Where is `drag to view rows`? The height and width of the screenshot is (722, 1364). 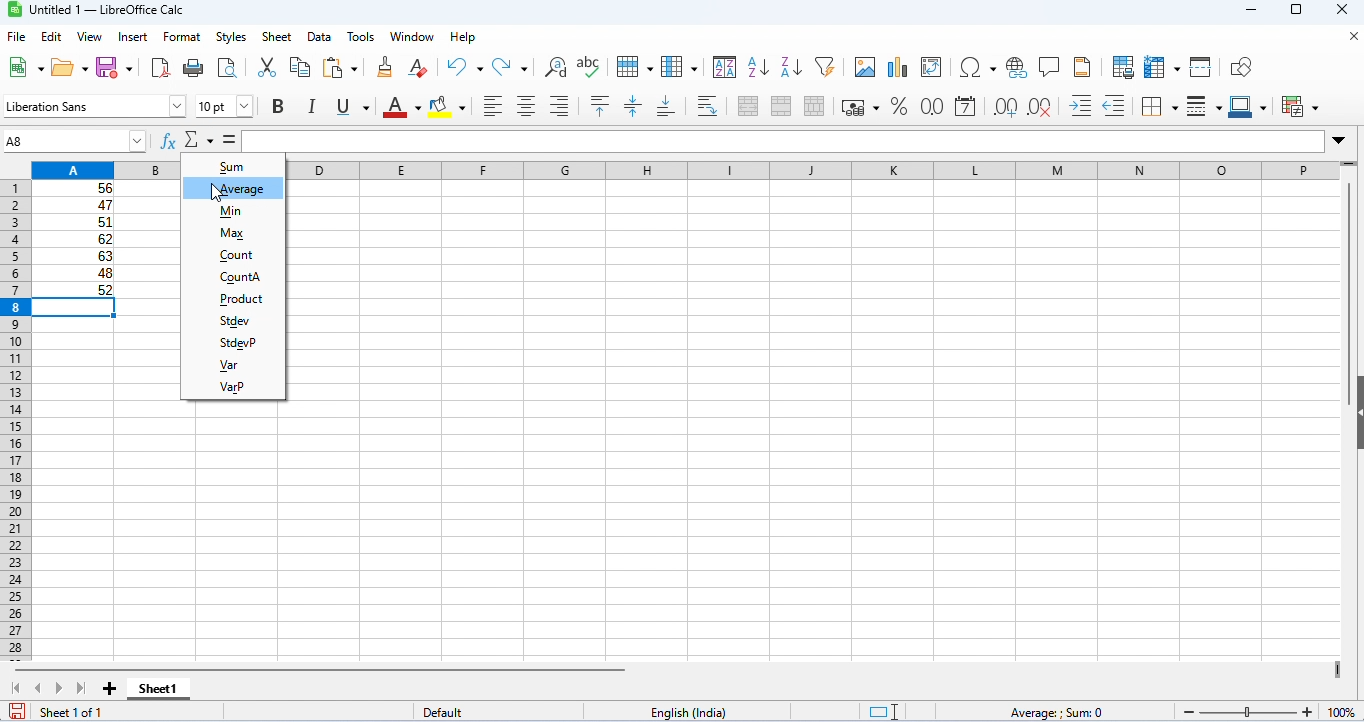
drag to view rows is located at coordinates (1348, 166).